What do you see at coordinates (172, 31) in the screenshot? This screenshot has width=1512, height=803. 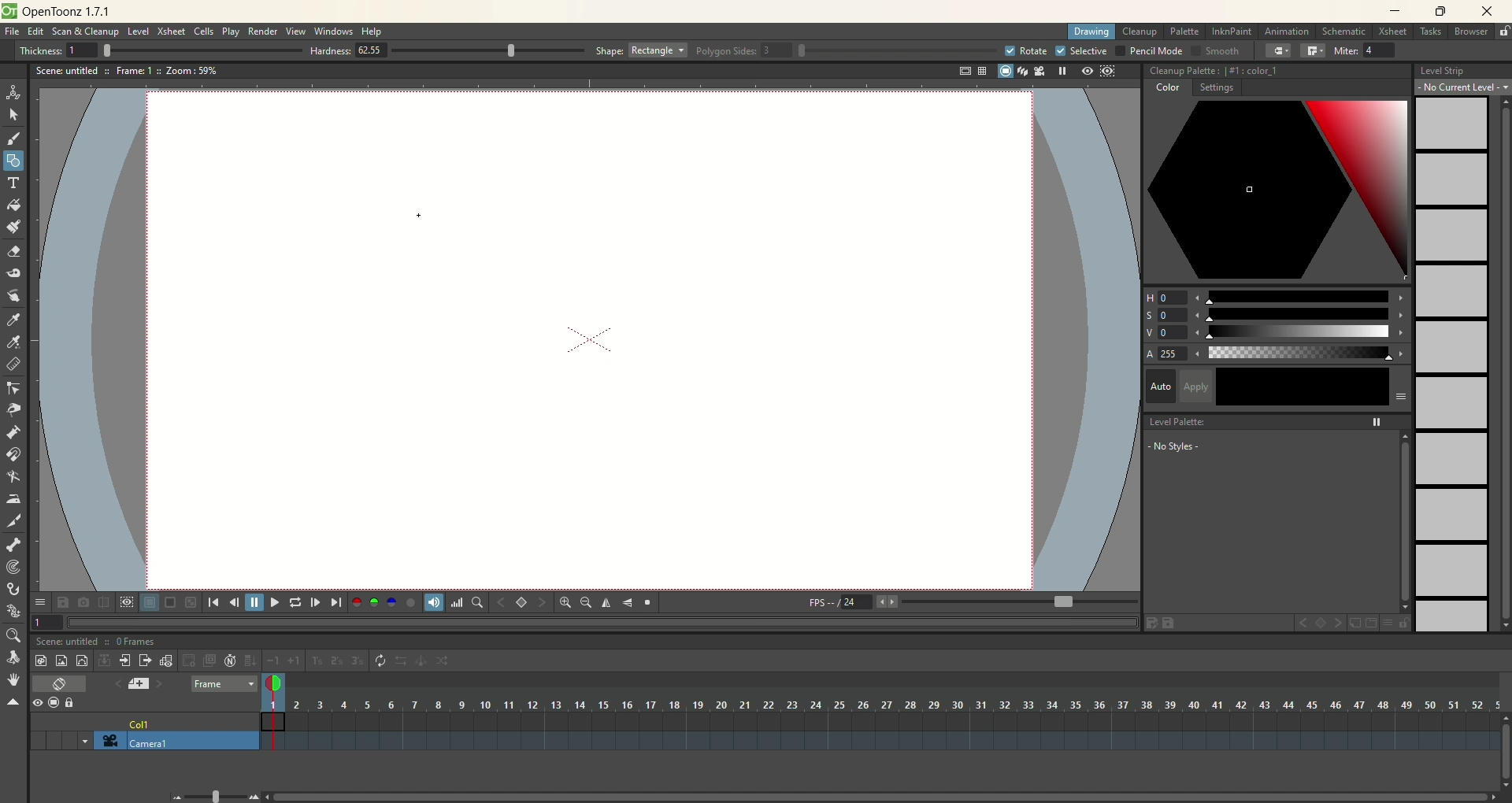 I see `X sheet` at bounding box center [172, 31].